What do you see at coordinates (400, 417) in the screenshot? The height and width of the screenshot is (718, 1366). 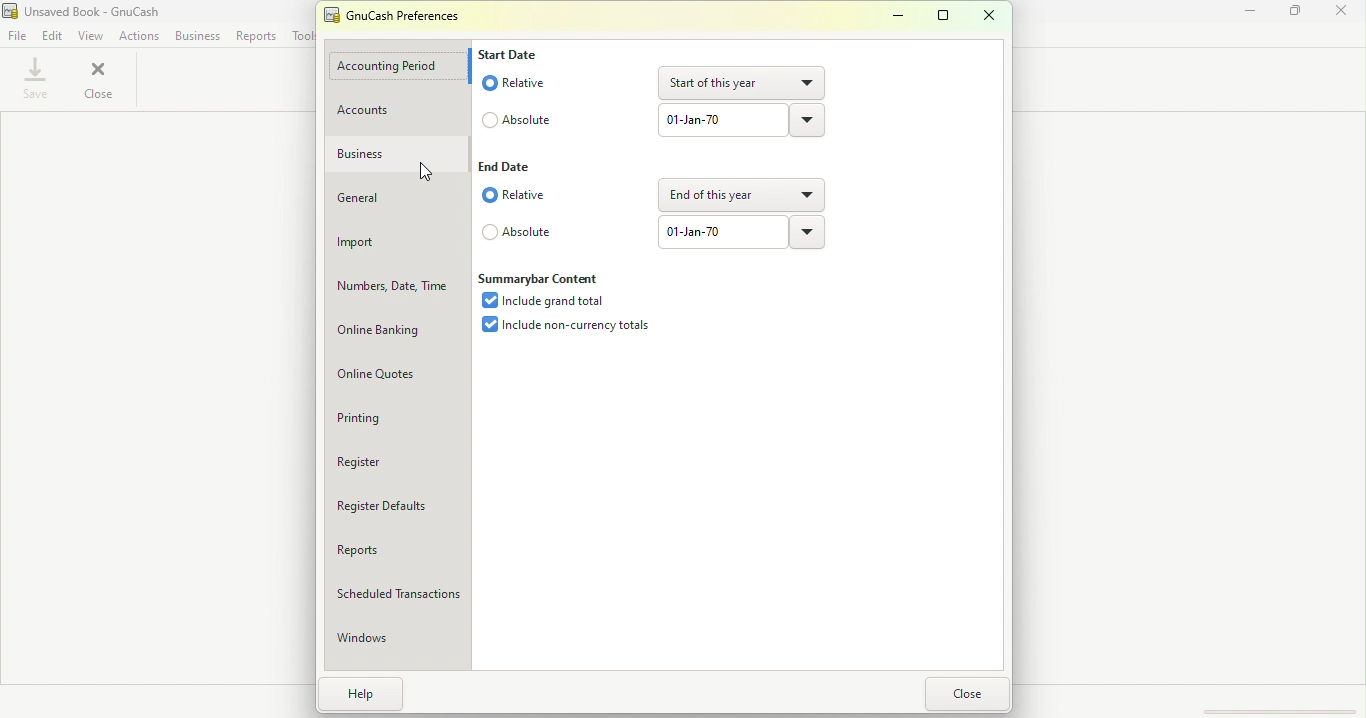 I see `Printing` at bounding box center [400, 417].